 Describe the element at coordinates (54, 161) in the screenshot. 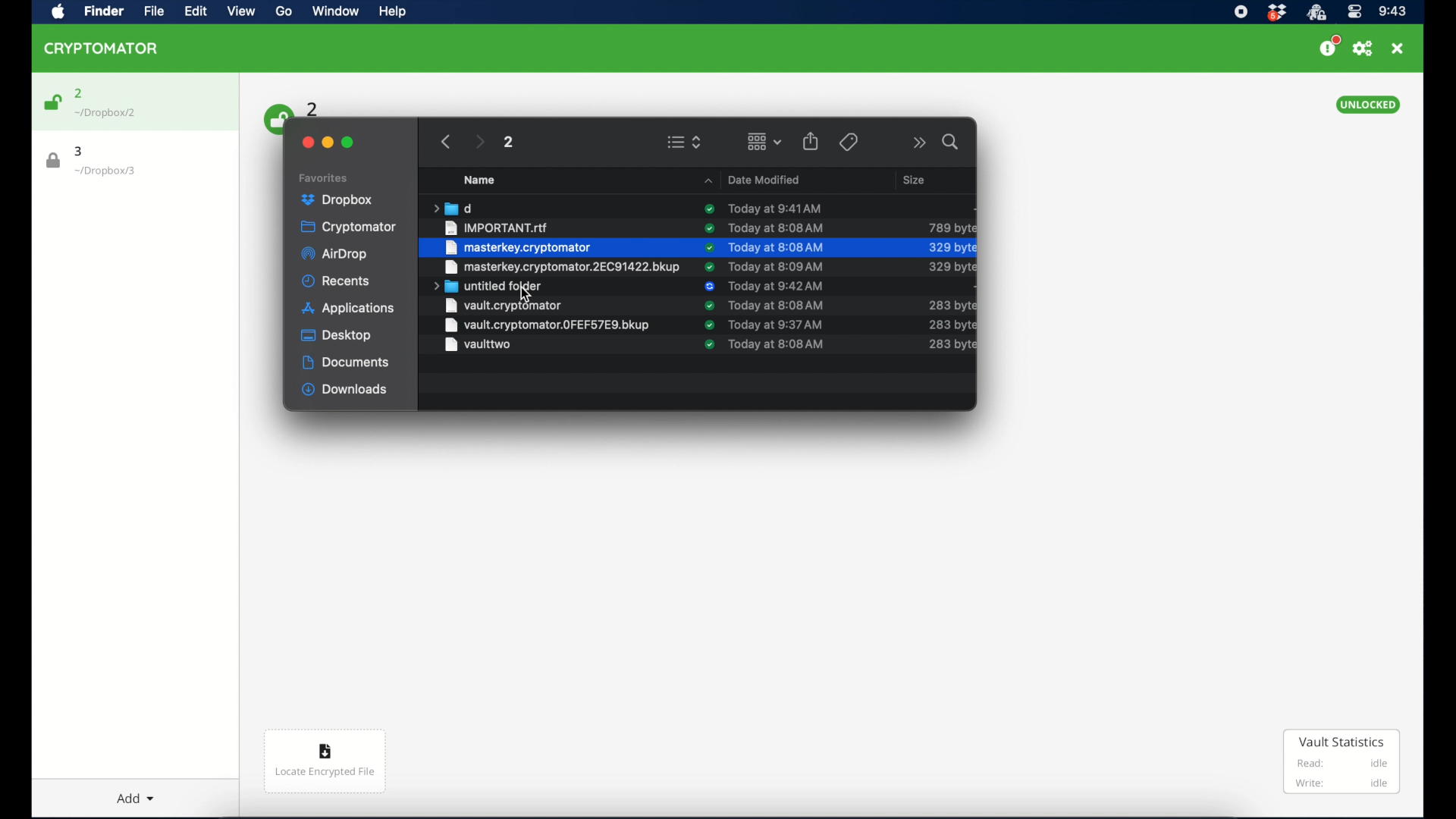

I see `lock icon` at that location.